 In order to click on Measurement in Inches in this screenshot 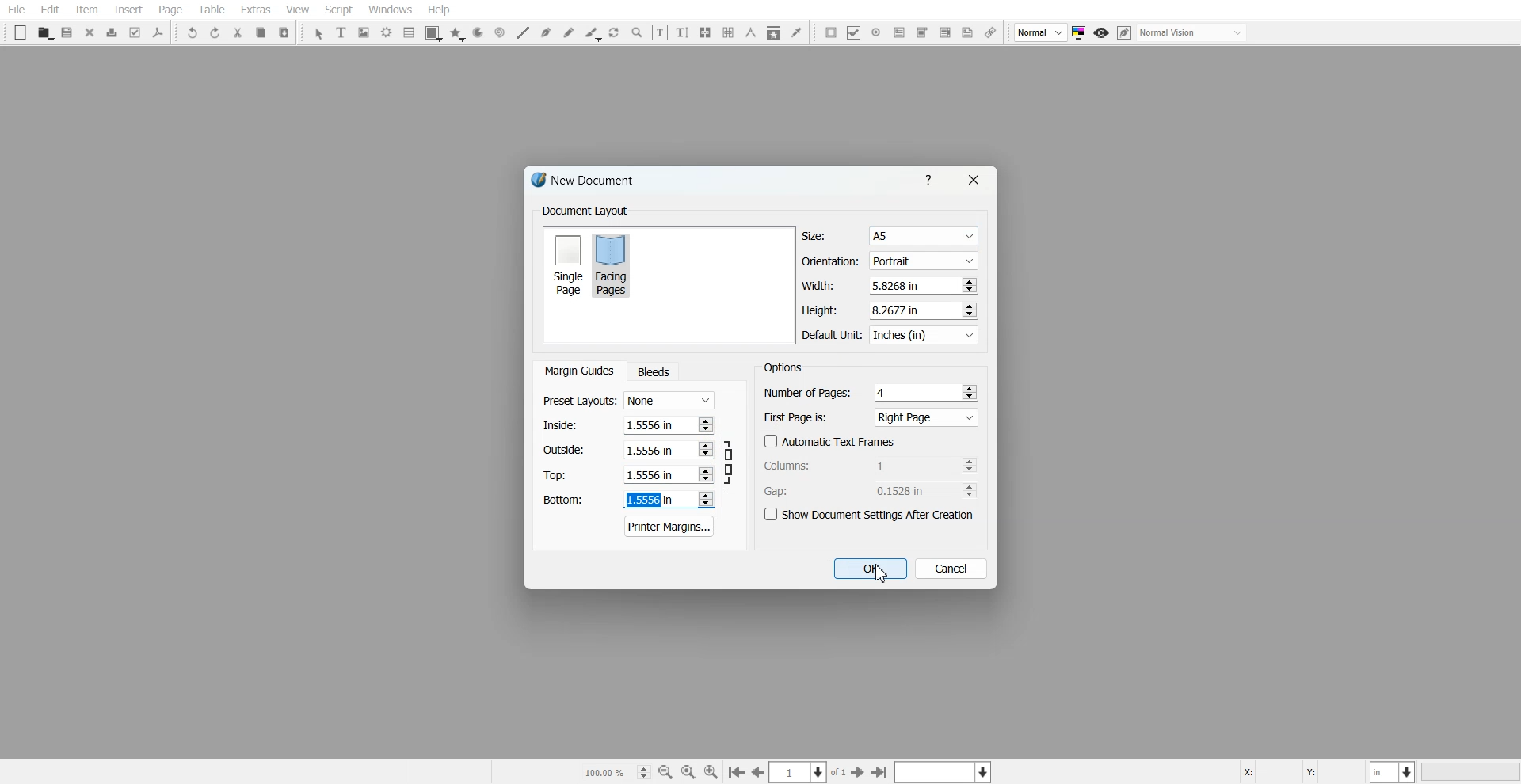, I will do `click(1393, 771)`.